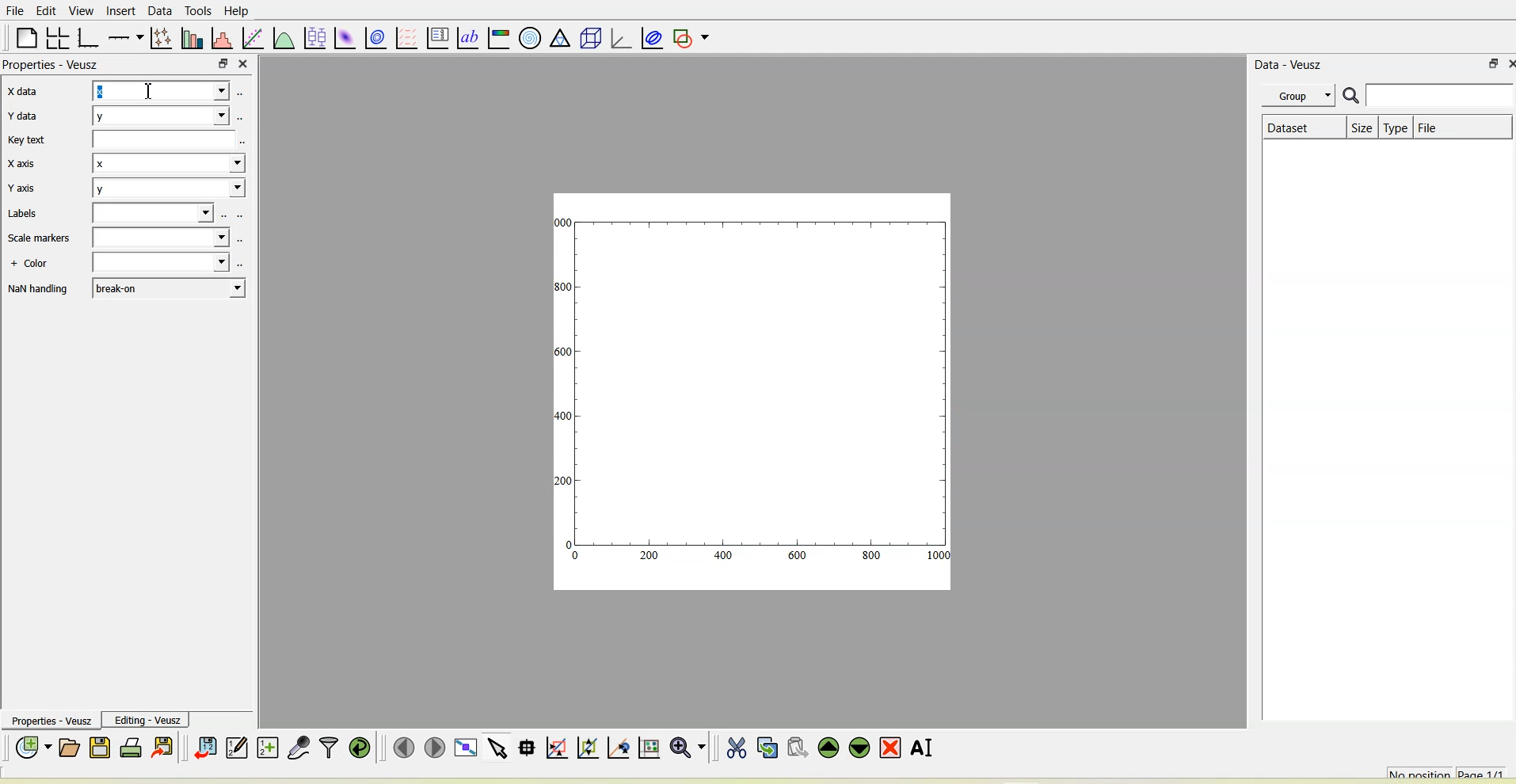 The height and width of the screenshot is (784, 1516). What do you see at coordinates (32, 748) in the screenshot?
I see `New document` at bounding box center [32, 748].